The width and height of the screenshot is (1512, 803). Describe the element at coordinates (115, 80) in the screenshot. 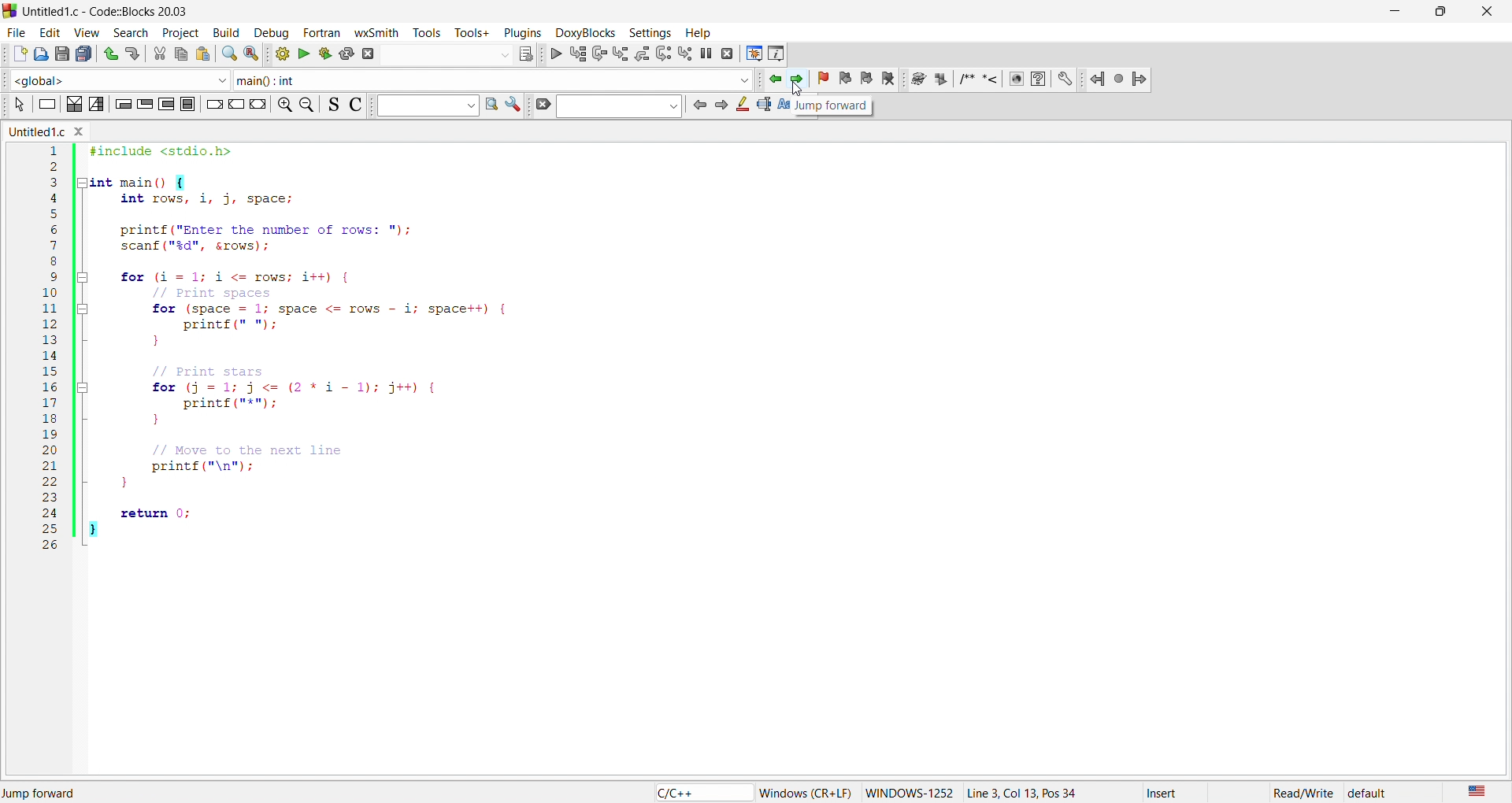

I see `function scope` at that location.